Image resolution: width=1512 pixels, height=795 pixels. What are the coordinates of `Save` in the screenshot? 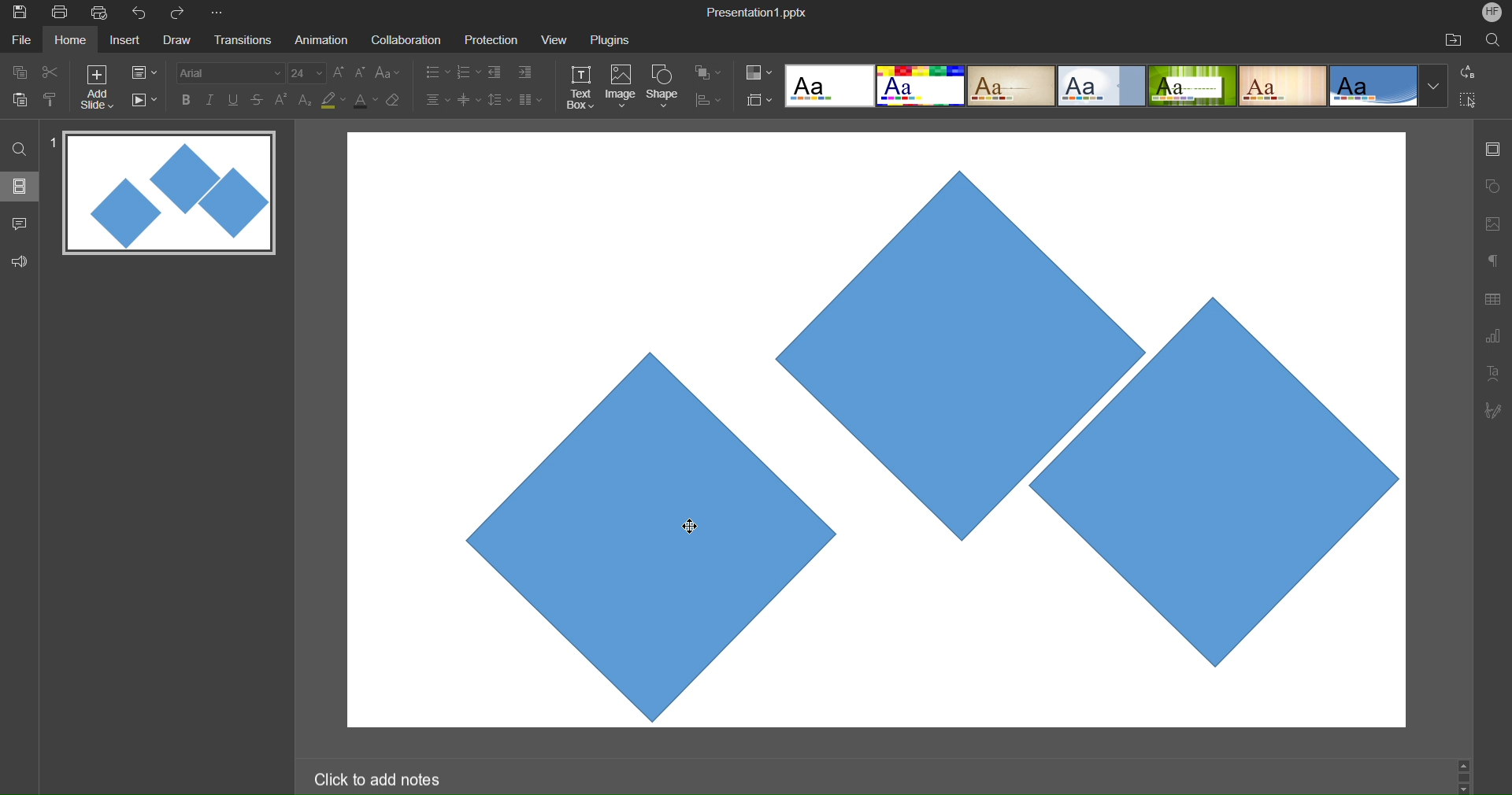 It's located at (18, 13).